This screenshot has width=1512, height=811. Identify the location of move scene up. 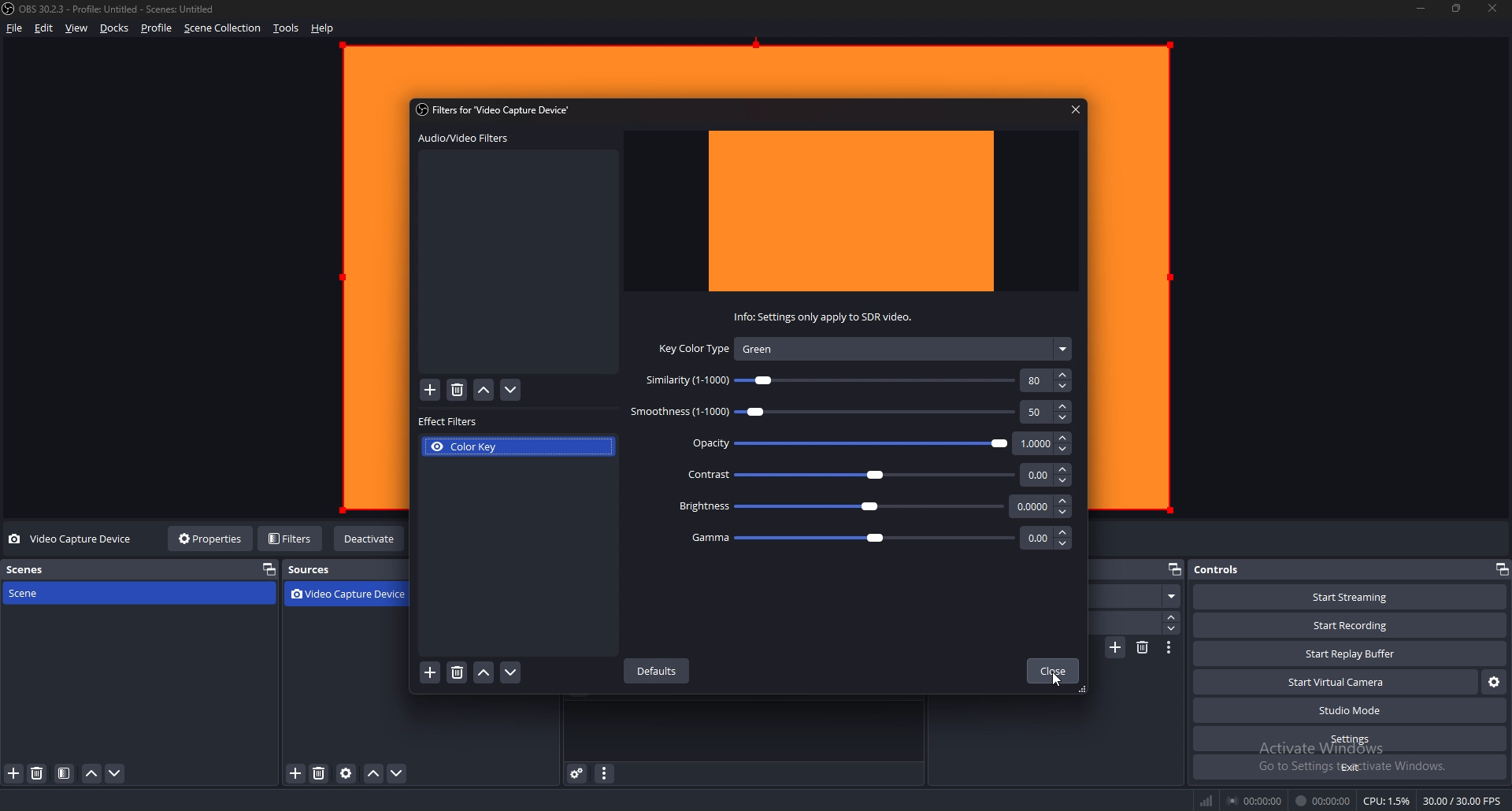
(93, 774).